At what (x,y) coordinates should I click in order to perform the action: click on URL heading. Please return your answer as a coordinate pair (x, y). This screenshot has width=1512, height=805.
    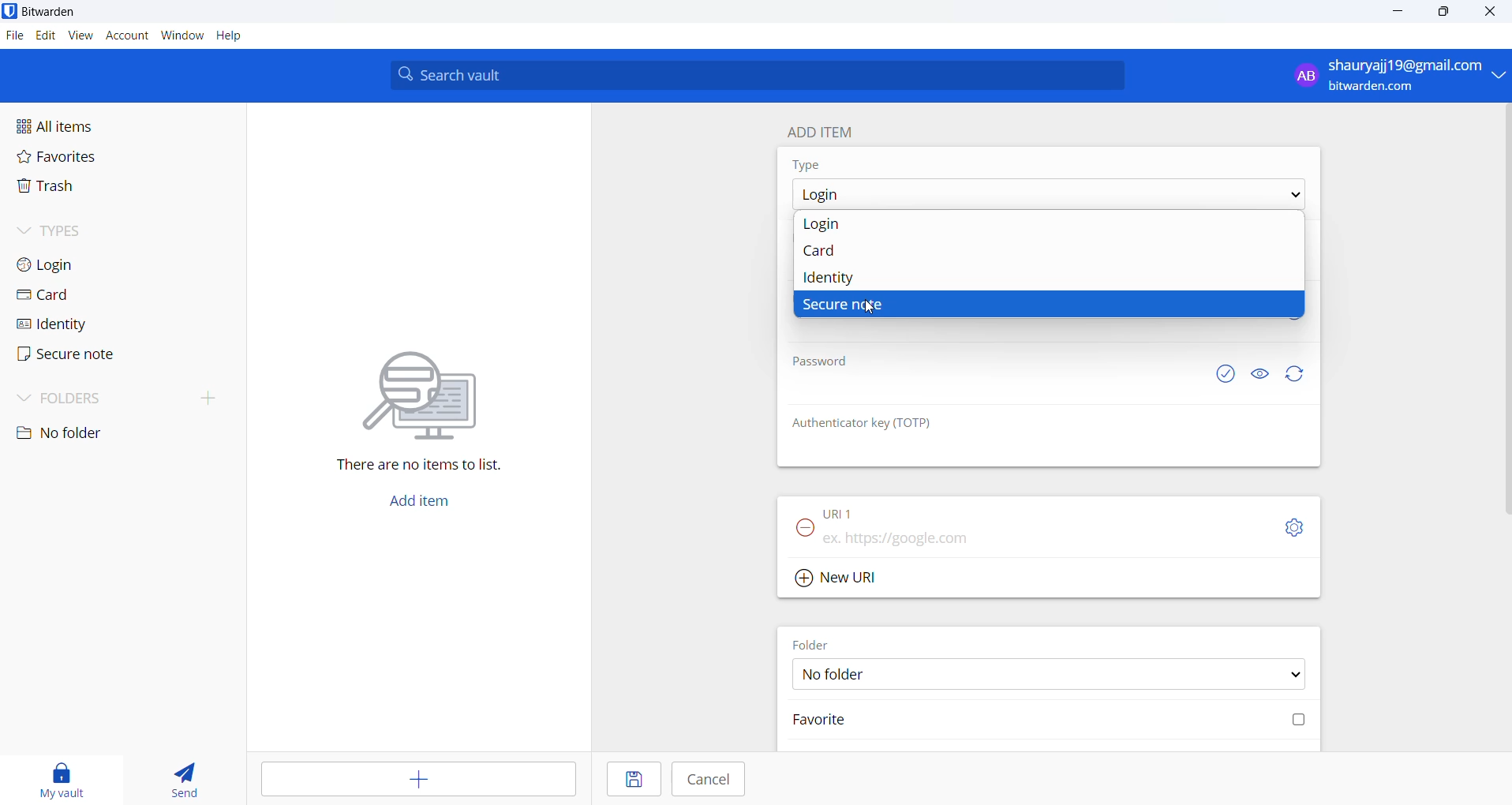
    Looking at the image, I should click on (845, 507).